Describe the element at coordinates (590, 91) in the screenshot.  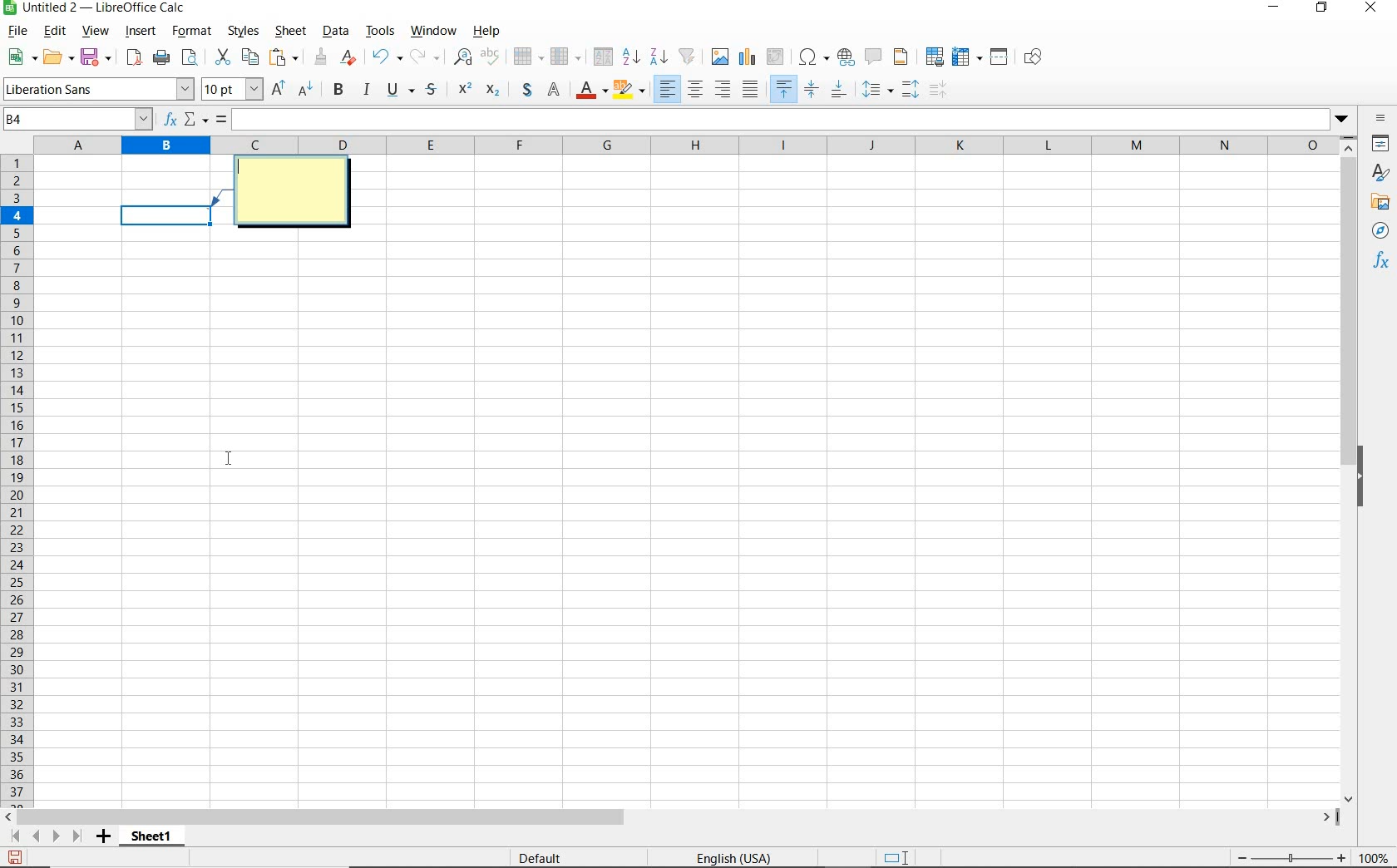
I see `font color` at that location.